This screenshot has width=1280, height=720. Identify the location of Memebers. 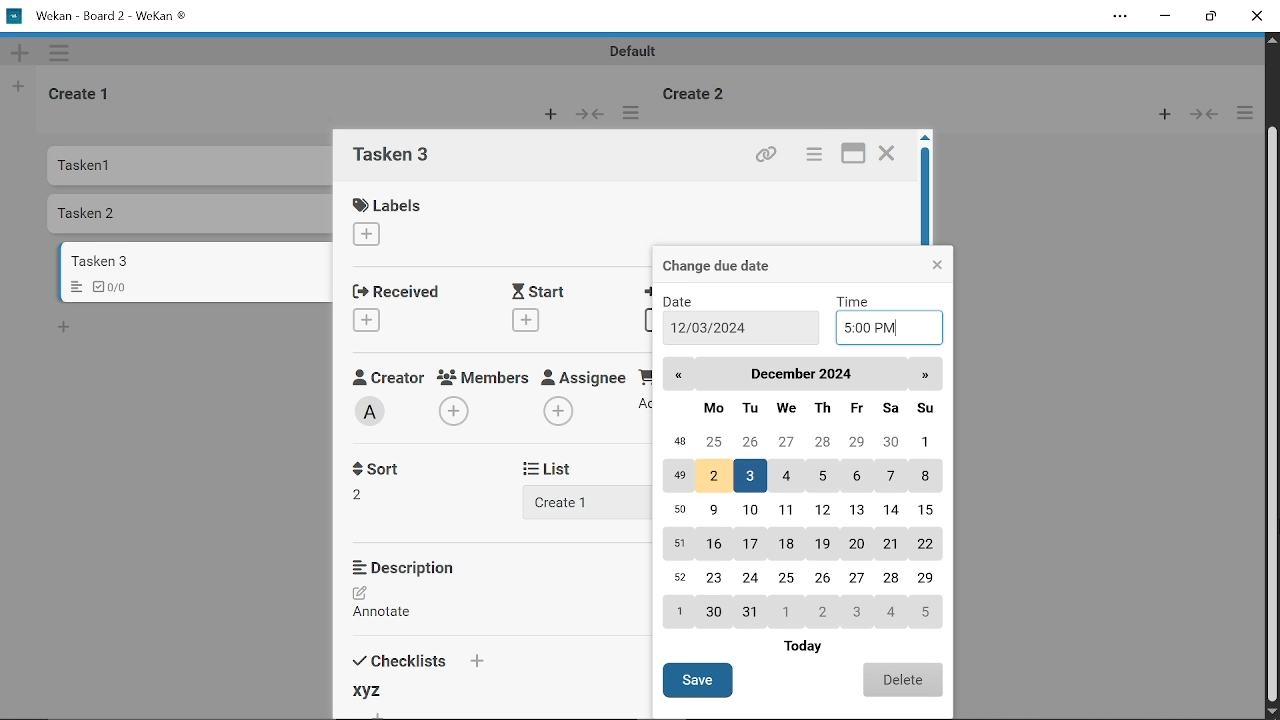
(485, 377).